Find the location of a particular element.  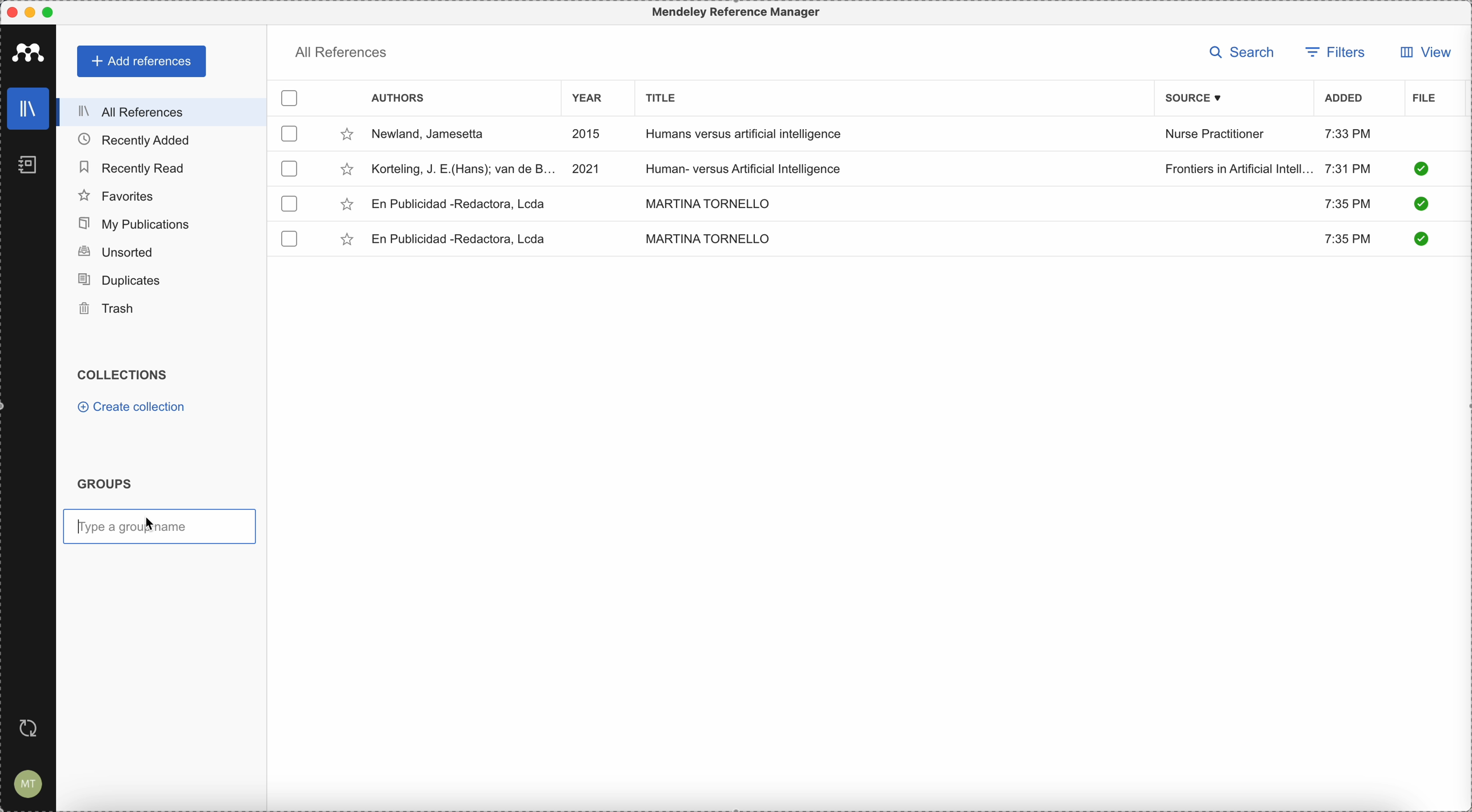

filters is located at coordinates (1335, 54).